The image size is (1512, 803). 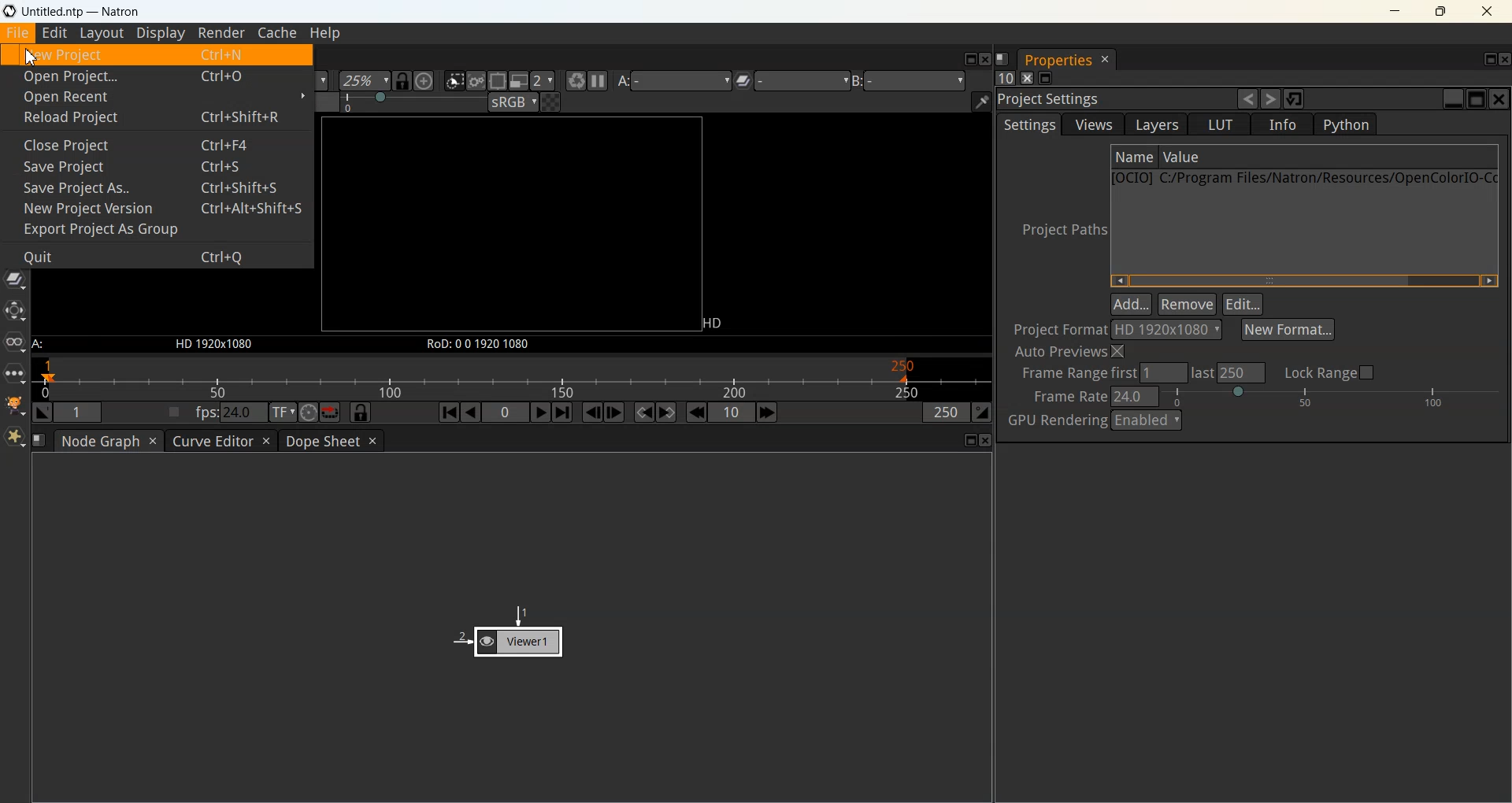 What do you see at coordinates (614, 412) in the screenshot?
I see `Next Frame` at bounding box center [614, 412].